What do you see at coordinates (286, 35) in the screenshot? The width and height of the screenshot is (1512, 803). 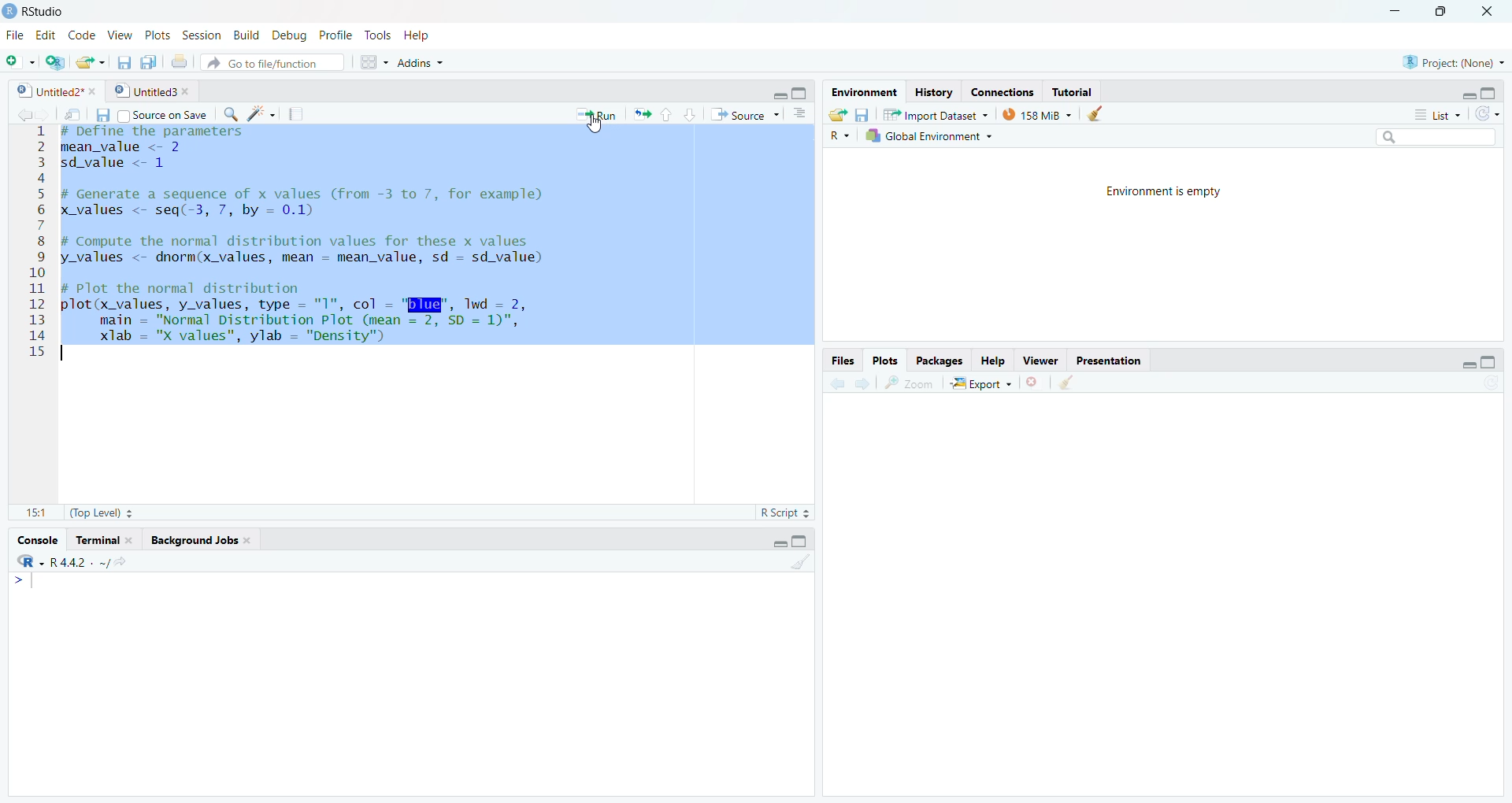 I see `Debug` at bounding box center [286, 35].